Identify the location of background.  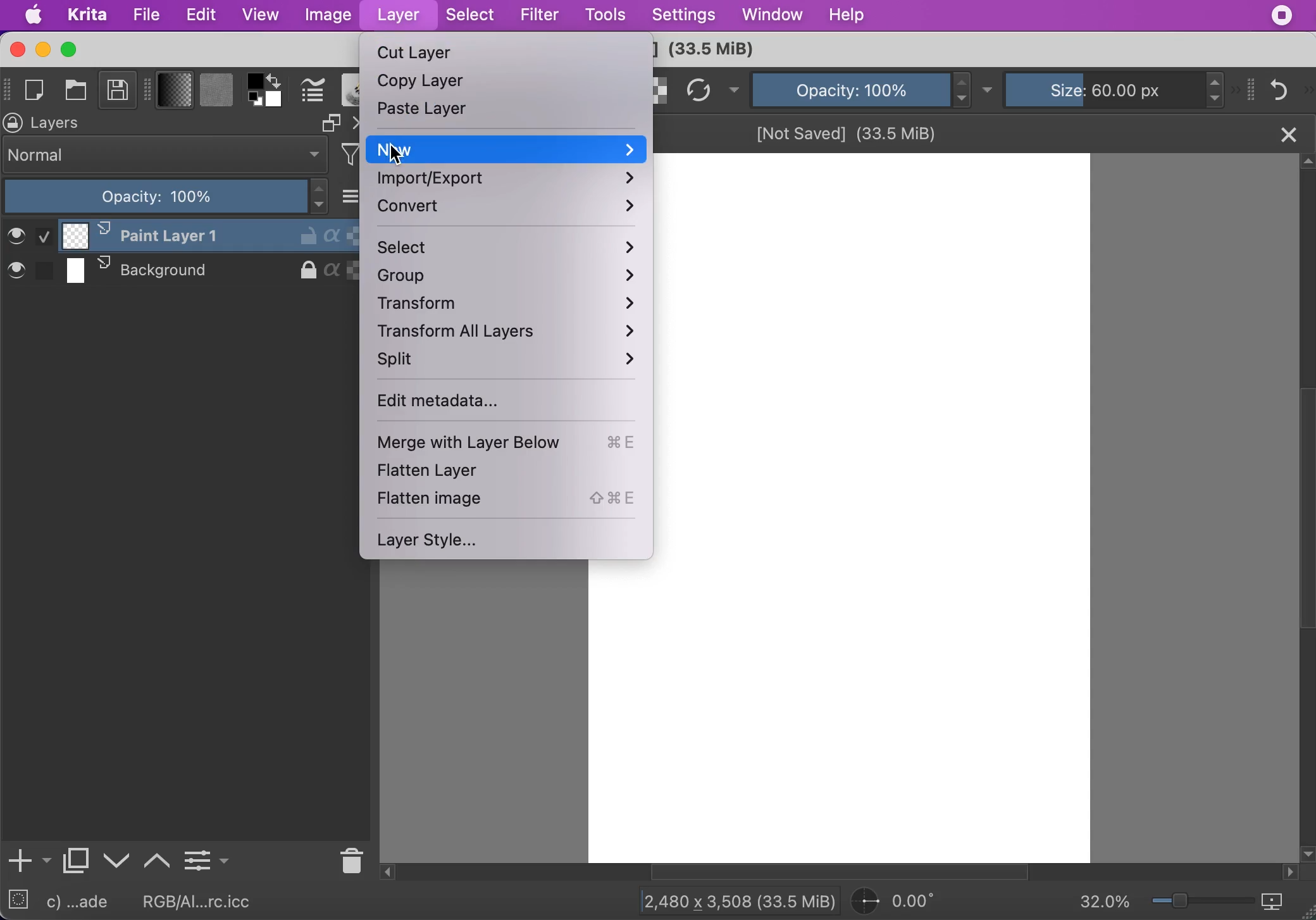
(179, 271).